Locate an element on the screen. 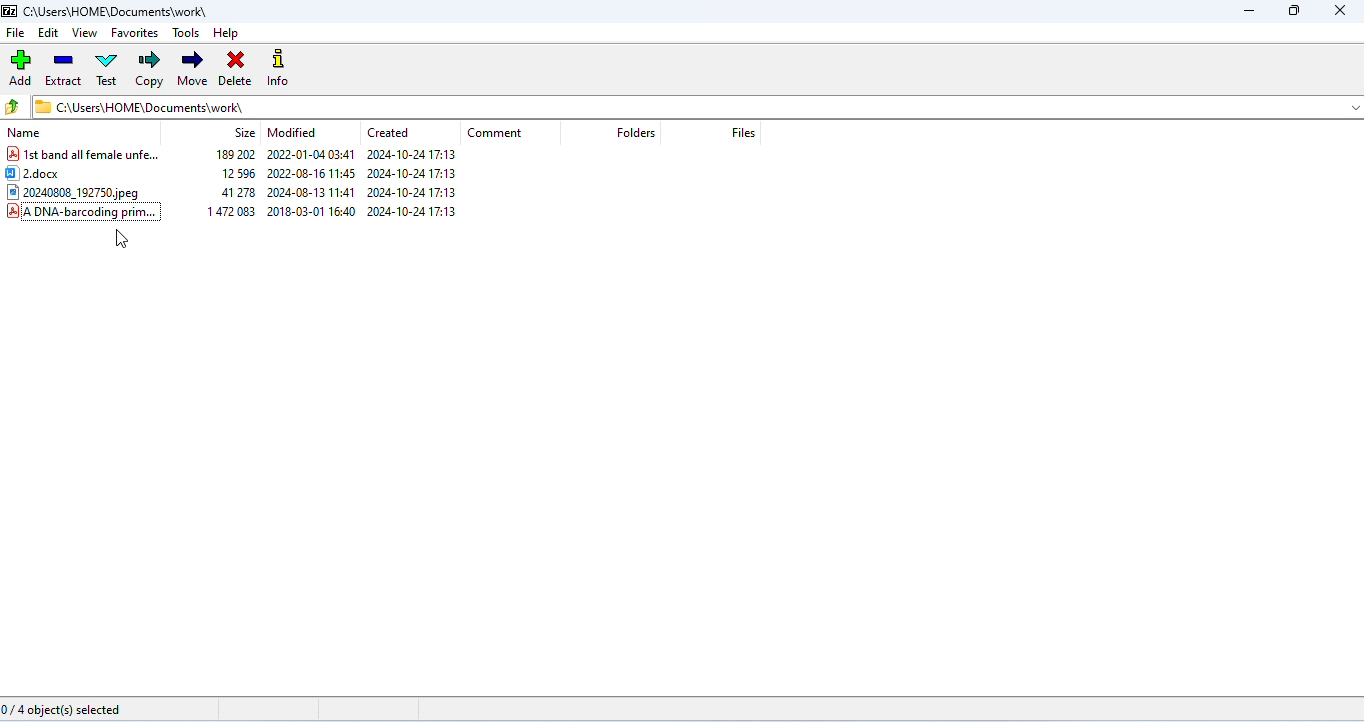 This screenshot has width=1364, height=722. size is located at coordinates (244, 133).